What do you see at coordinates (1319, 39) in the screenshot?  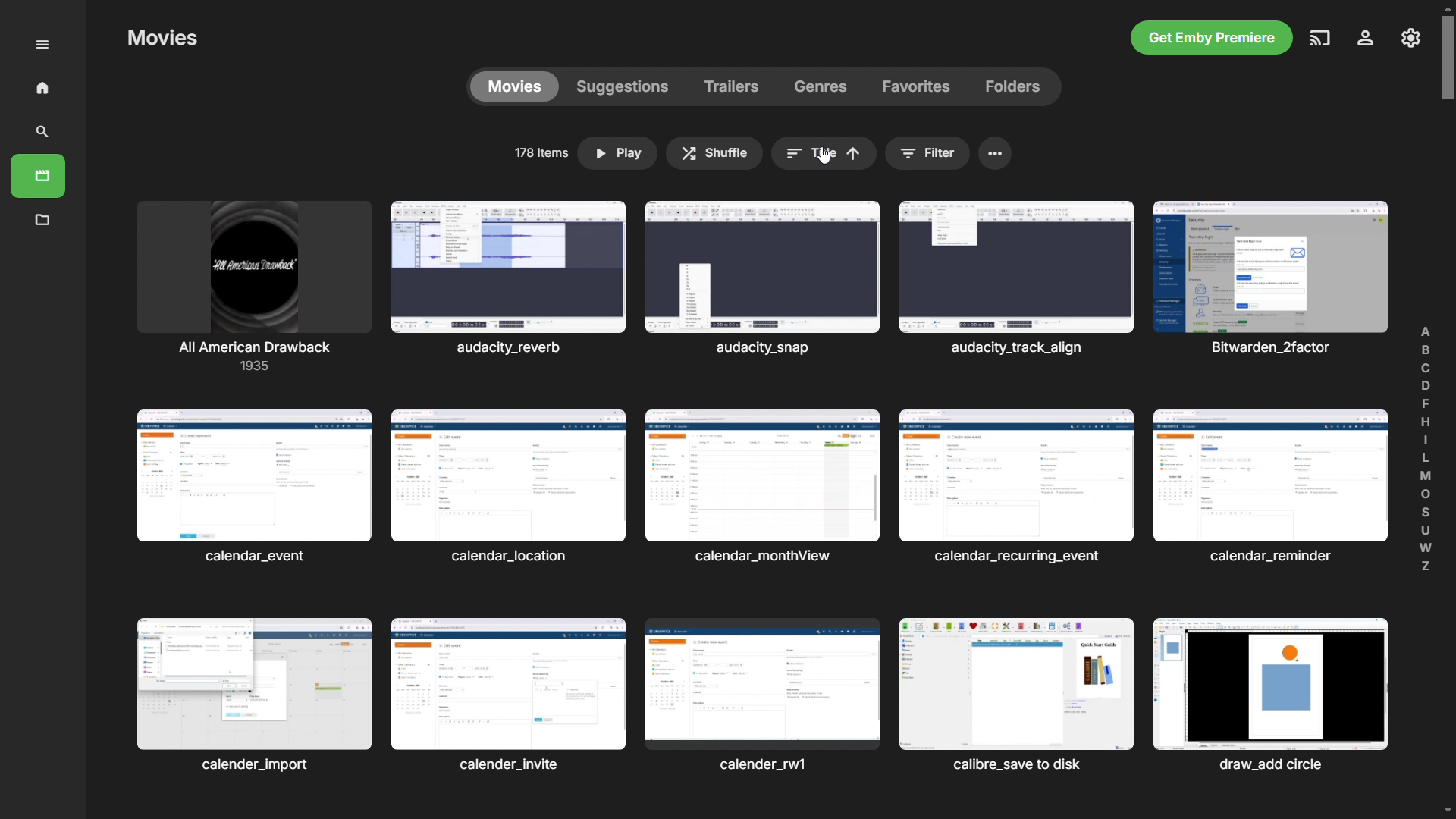 I see `play on another device` at bounding box center [1319, 39].